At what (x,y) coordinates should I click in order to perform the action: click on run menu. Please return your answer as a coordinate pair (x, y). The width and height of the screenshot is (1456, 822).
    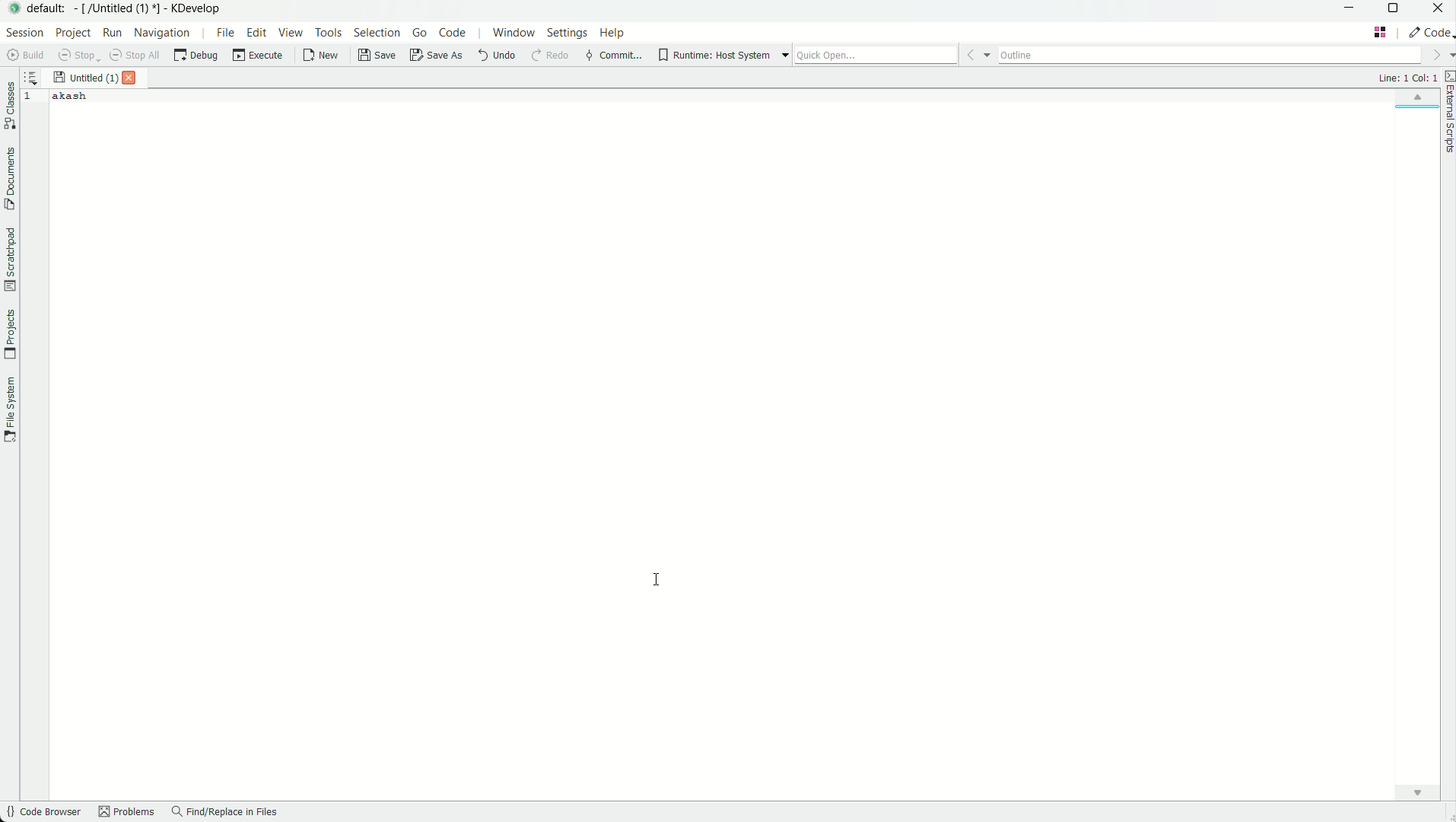
    Looking at the image, I should click on (113, 33).